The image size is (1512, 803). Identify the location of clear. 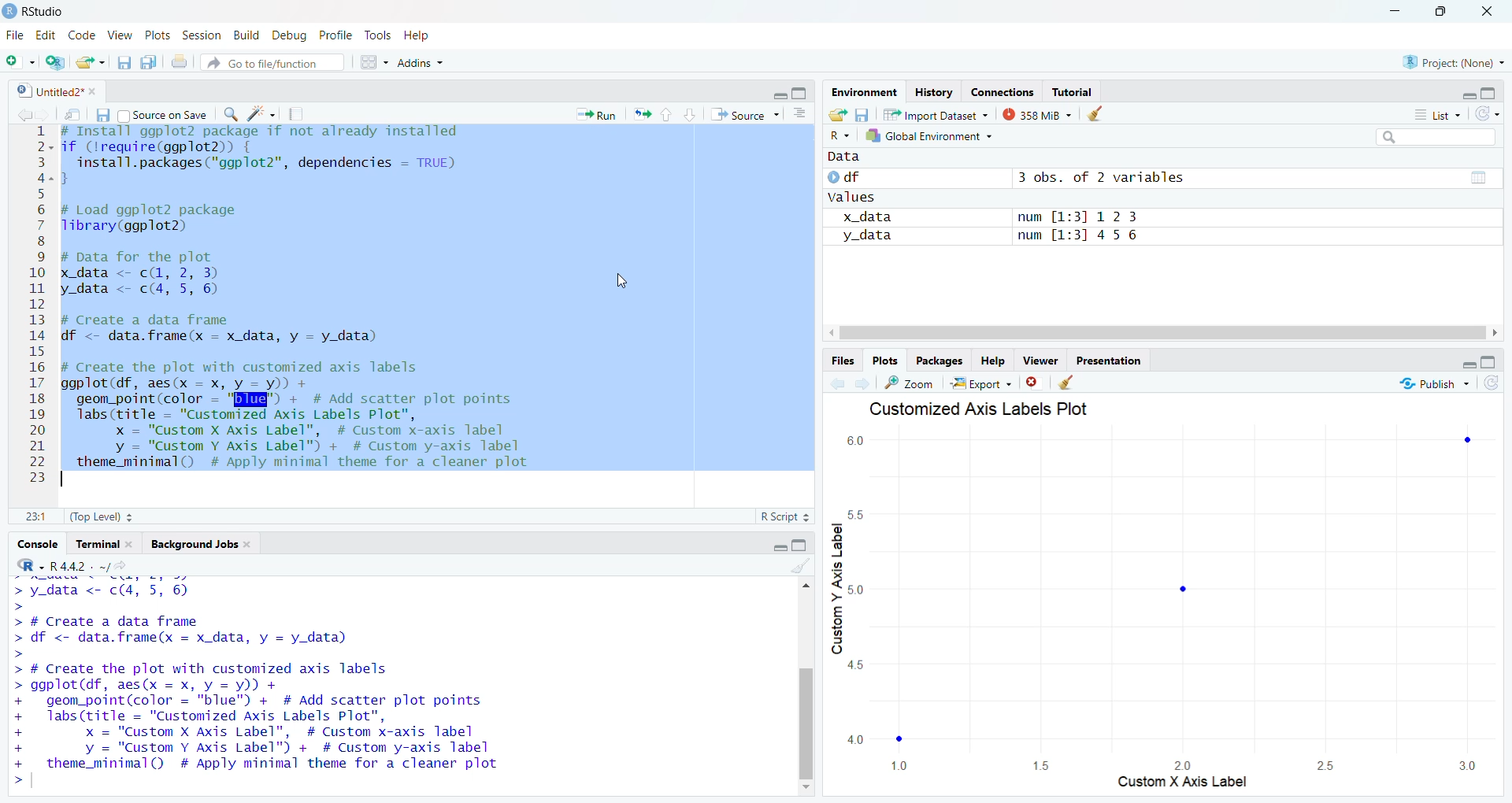
(1069, 385).